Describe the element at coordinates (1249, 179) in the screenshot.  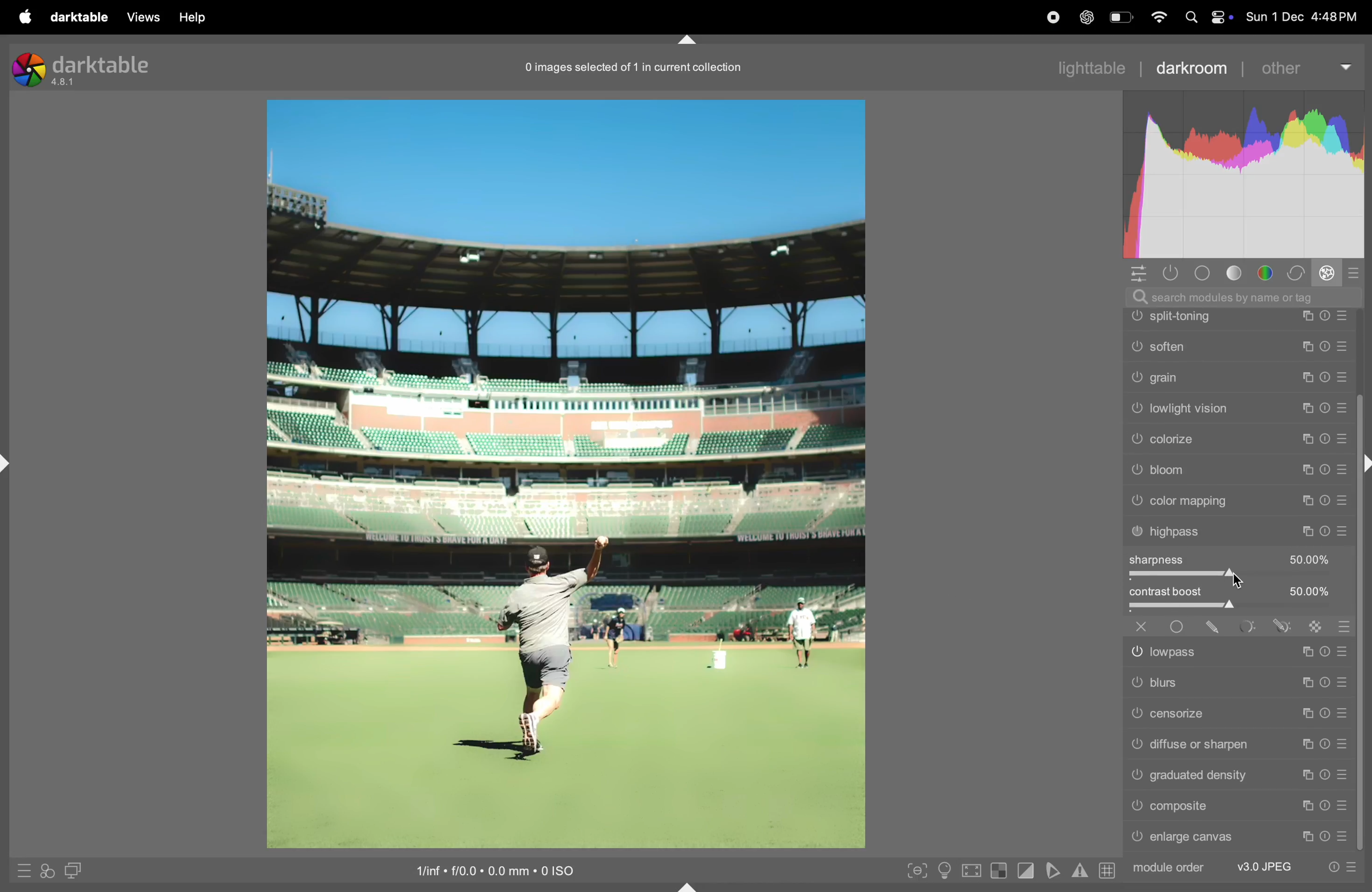
I see `histogram` at that location.